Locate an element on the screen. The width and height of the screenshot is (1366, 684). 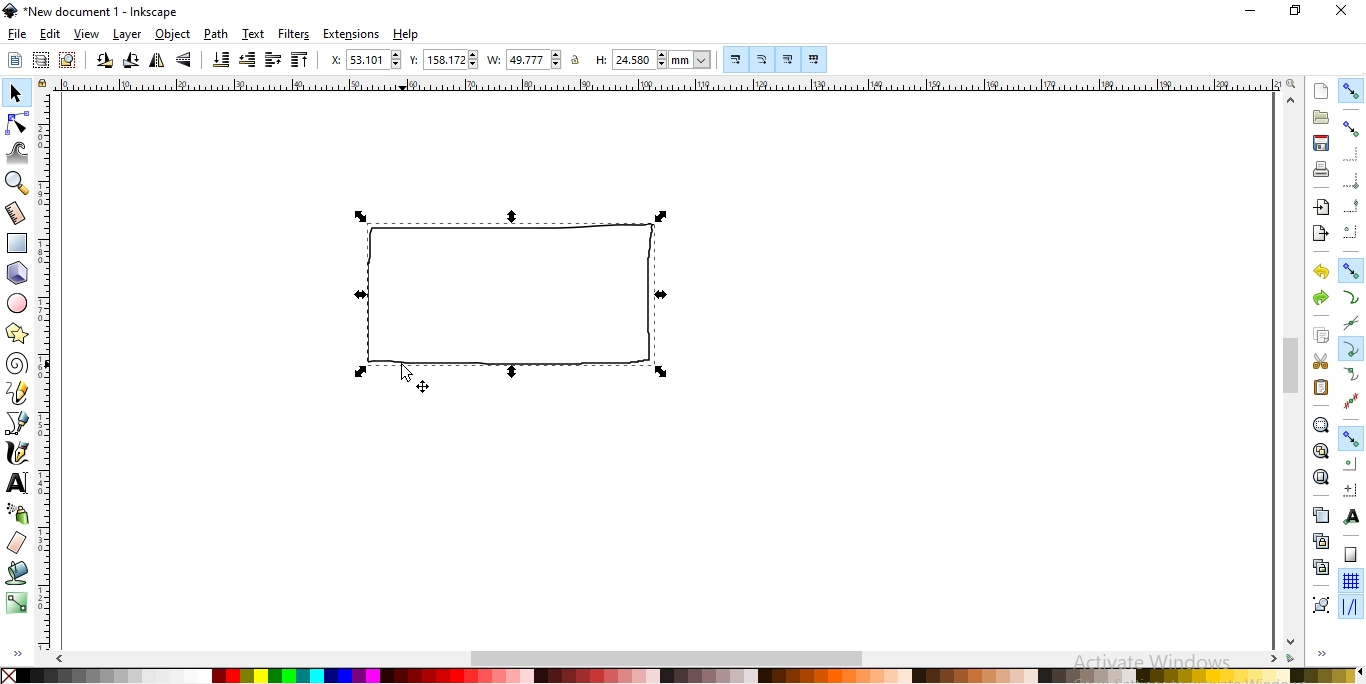
object is located at coordinates (172, 34).